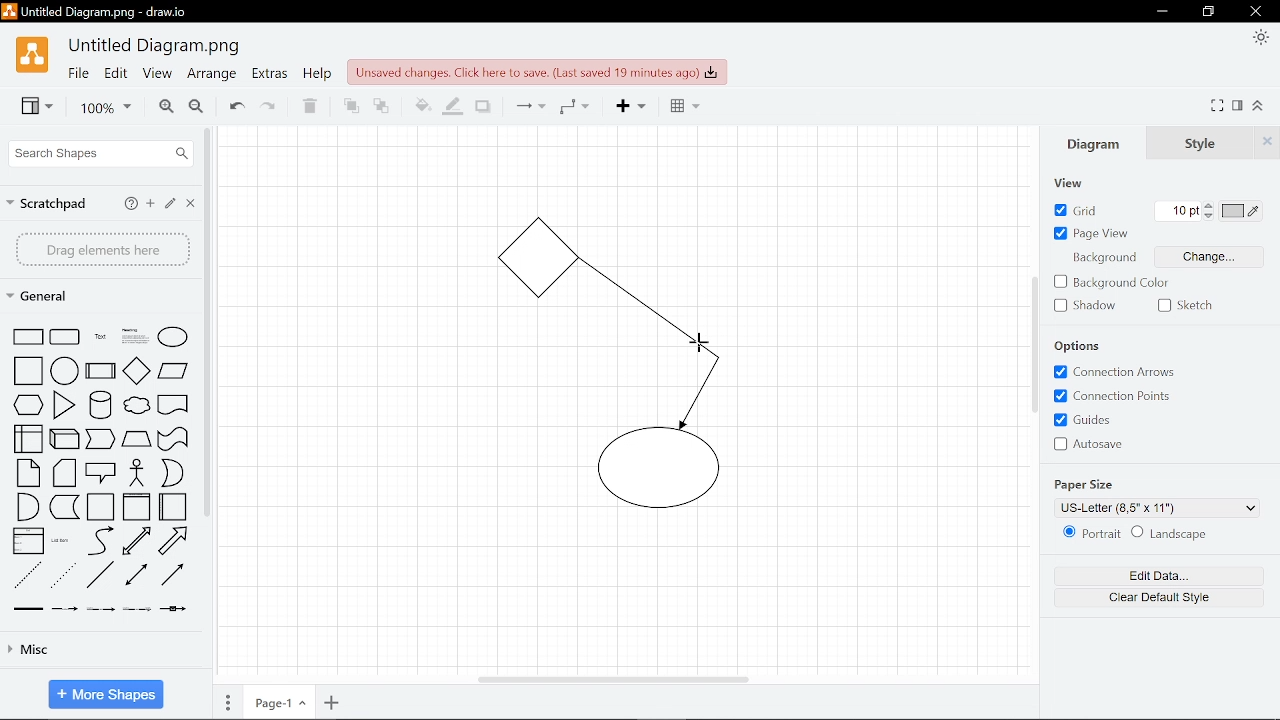 The width and height of the screenshot is (1280, 720). Describe the element at coordinates (173, 474) in the screenshot. I see `shape` at that location.